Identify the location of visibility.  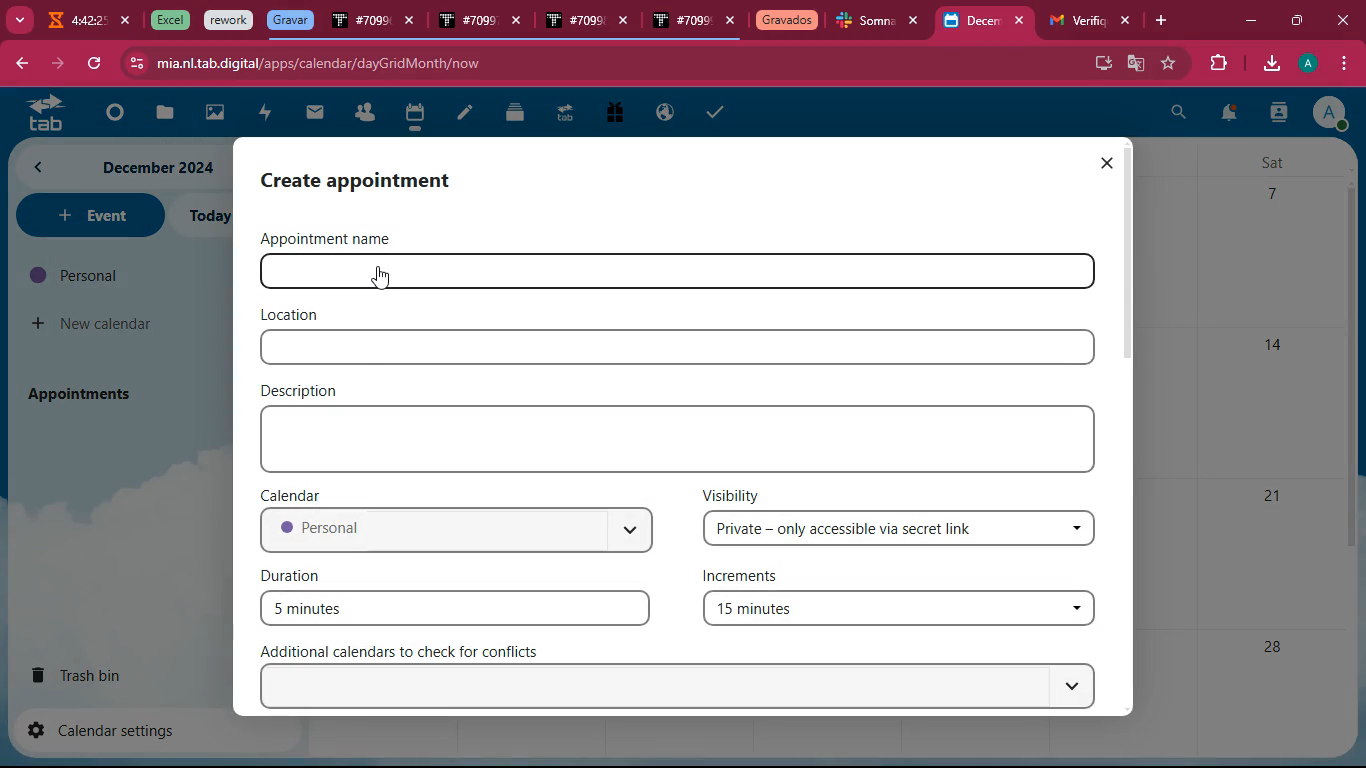
(732, 494).